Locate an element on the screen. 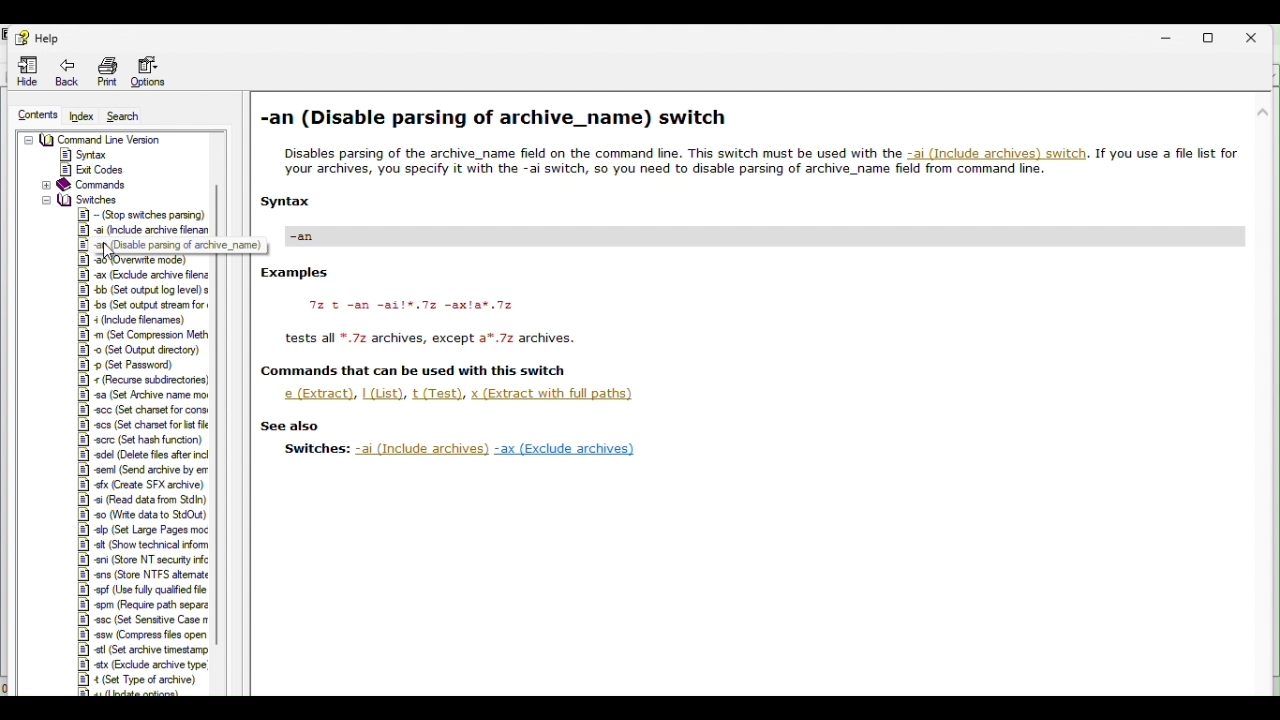  Disables parsing of the archive_name field on the command line. This switch must be used with the -ai (Include archives) switch. If you use a file ist for
your archives, you specify it with the ~ai switch, so you need to disable parsing of archive_name field from command ine. is located at coordinates (761, 163).